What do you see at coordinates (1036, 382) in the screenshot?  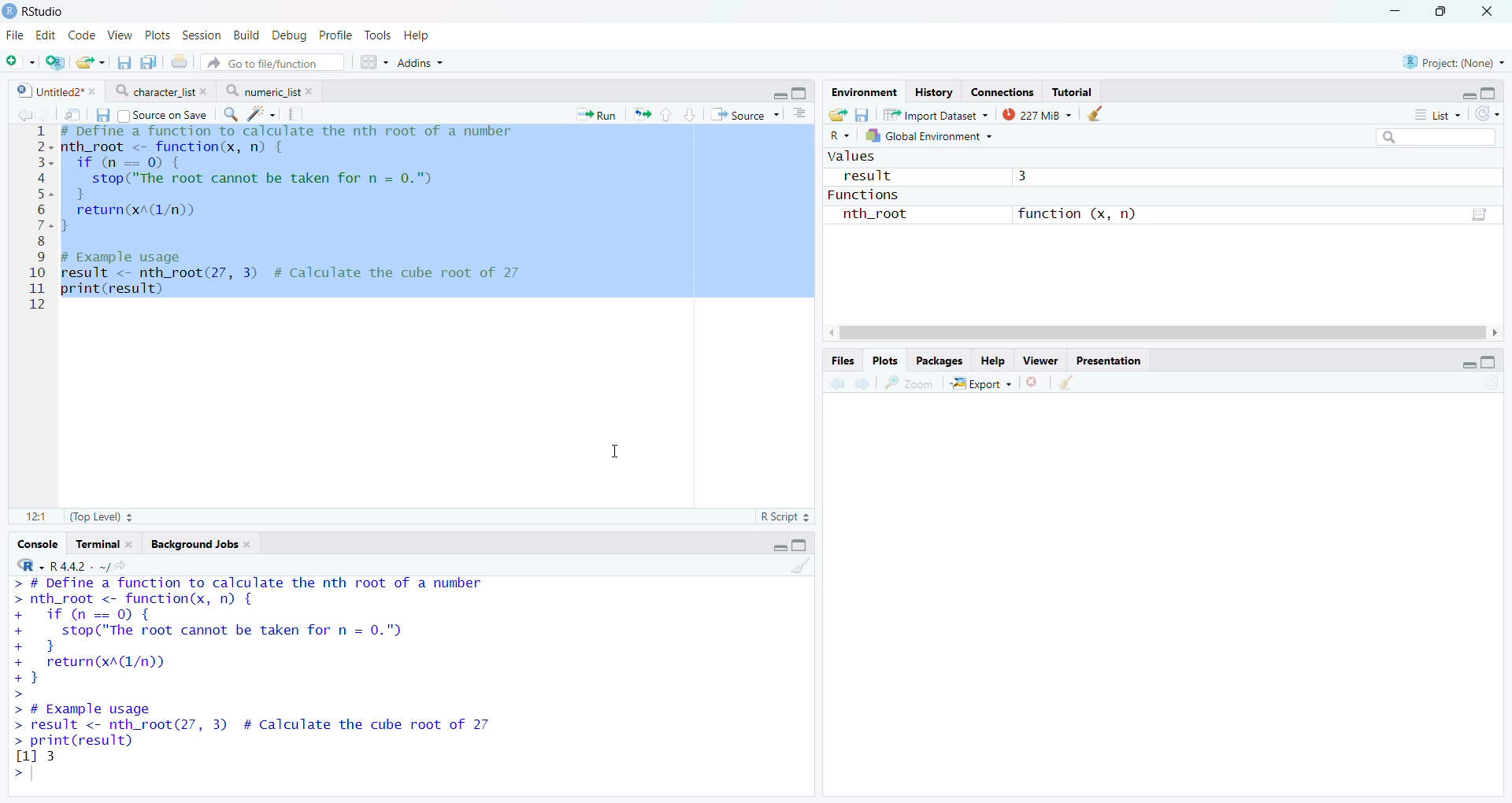 I see `Remove Selected` at bounding box center [1036, 382].